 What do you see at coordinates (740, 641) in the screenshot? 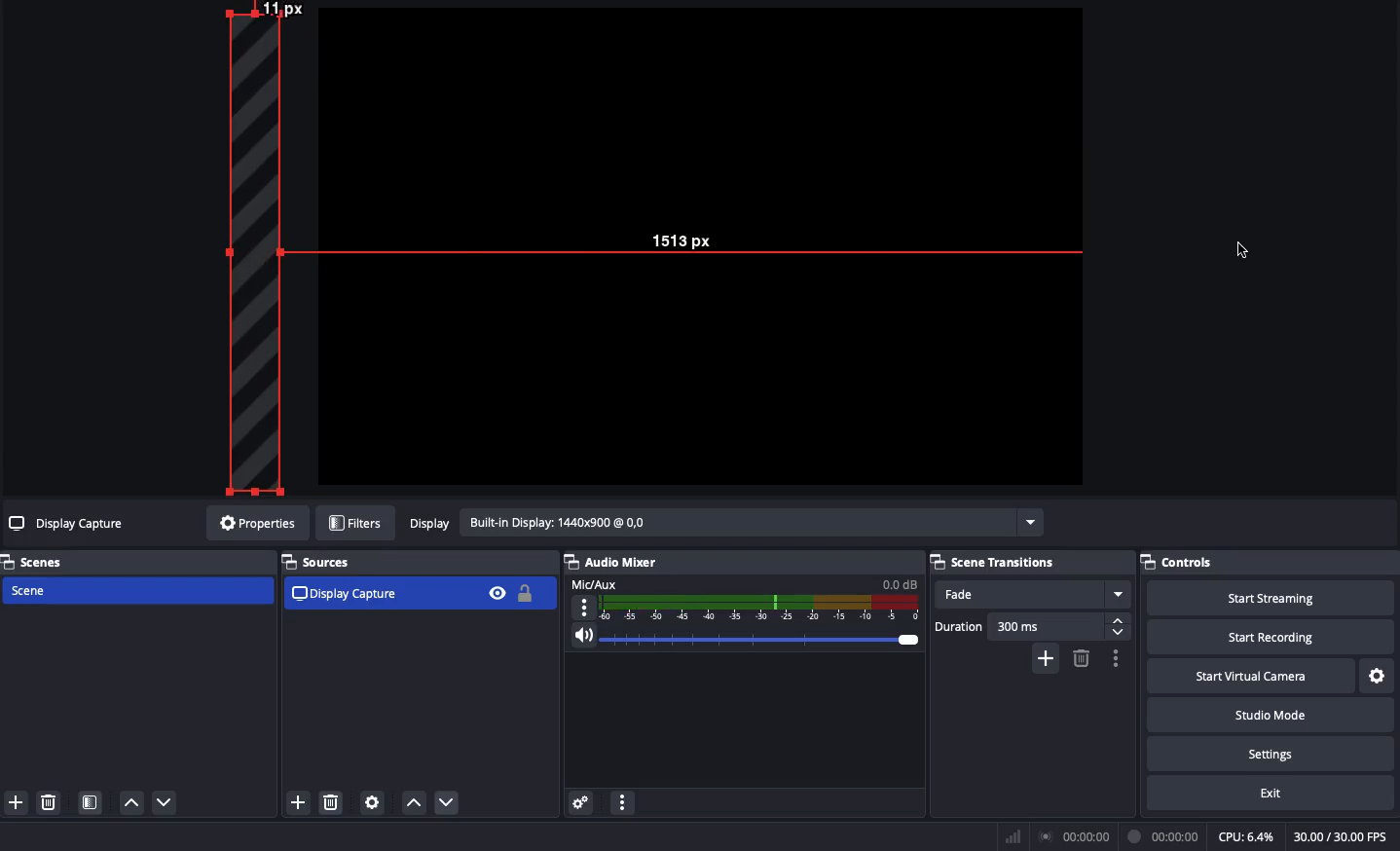
I see `Volume` at bounding box center [740, 641].